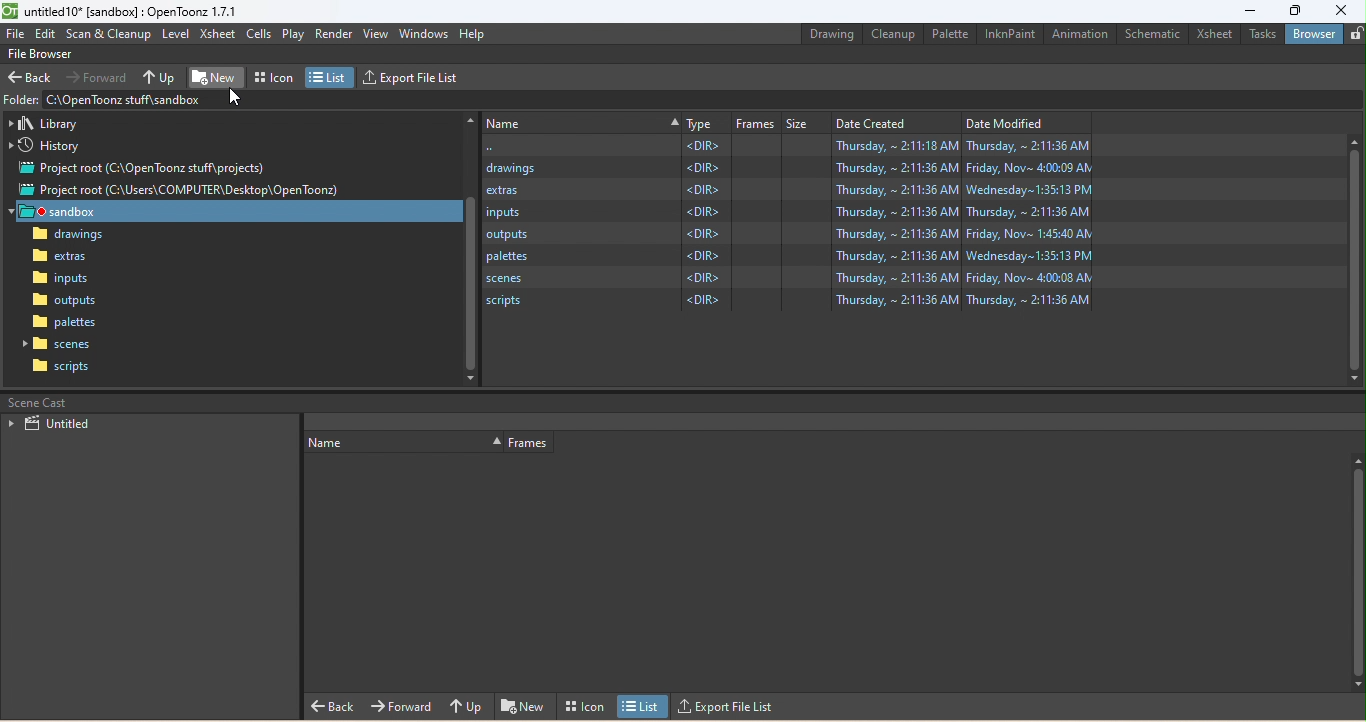  Describe the element at coordinates (412, 77) in the screenshot. I see `Export file list` at that location.